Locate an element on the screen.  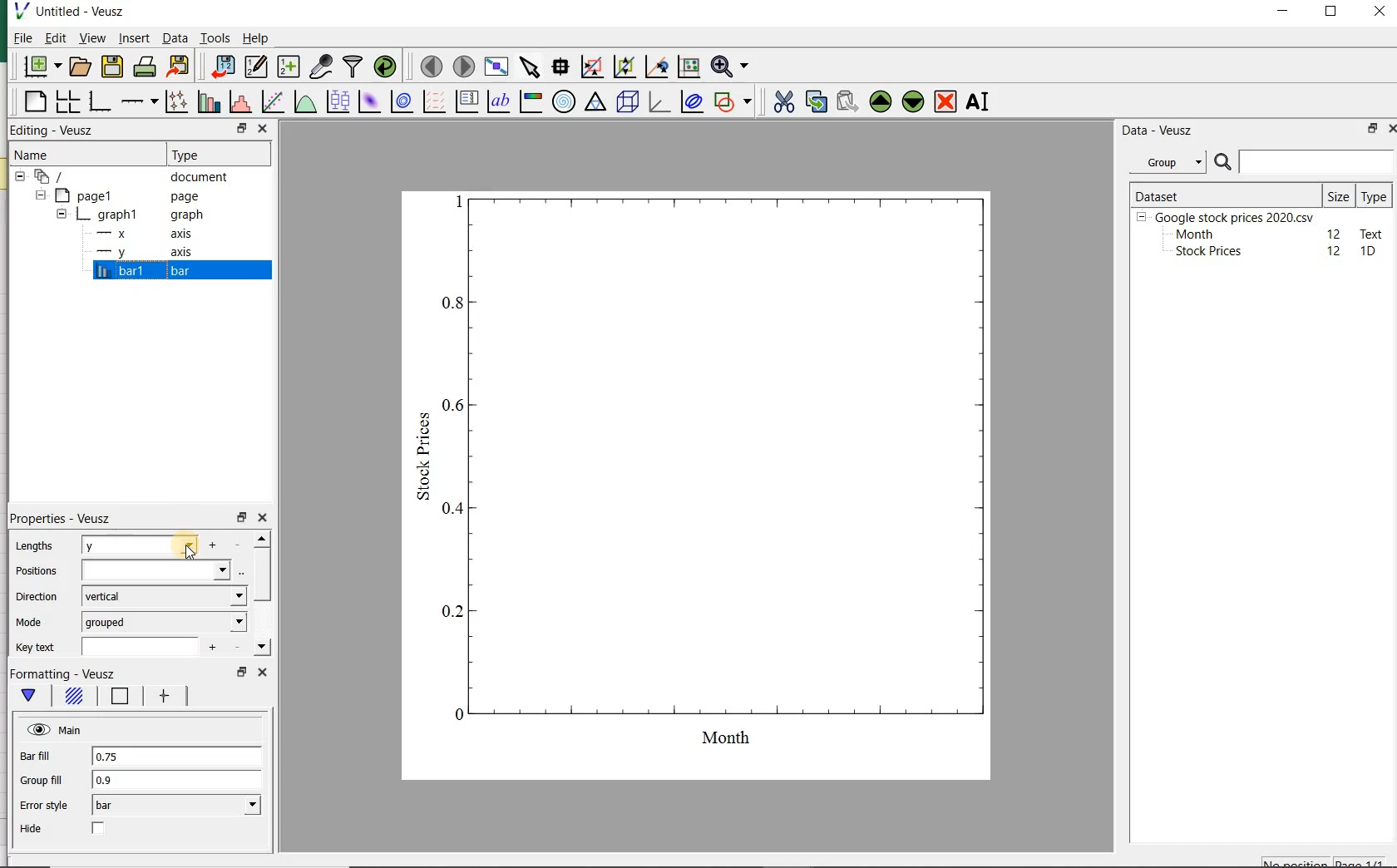
vertical is located at coordinates (164, 597).